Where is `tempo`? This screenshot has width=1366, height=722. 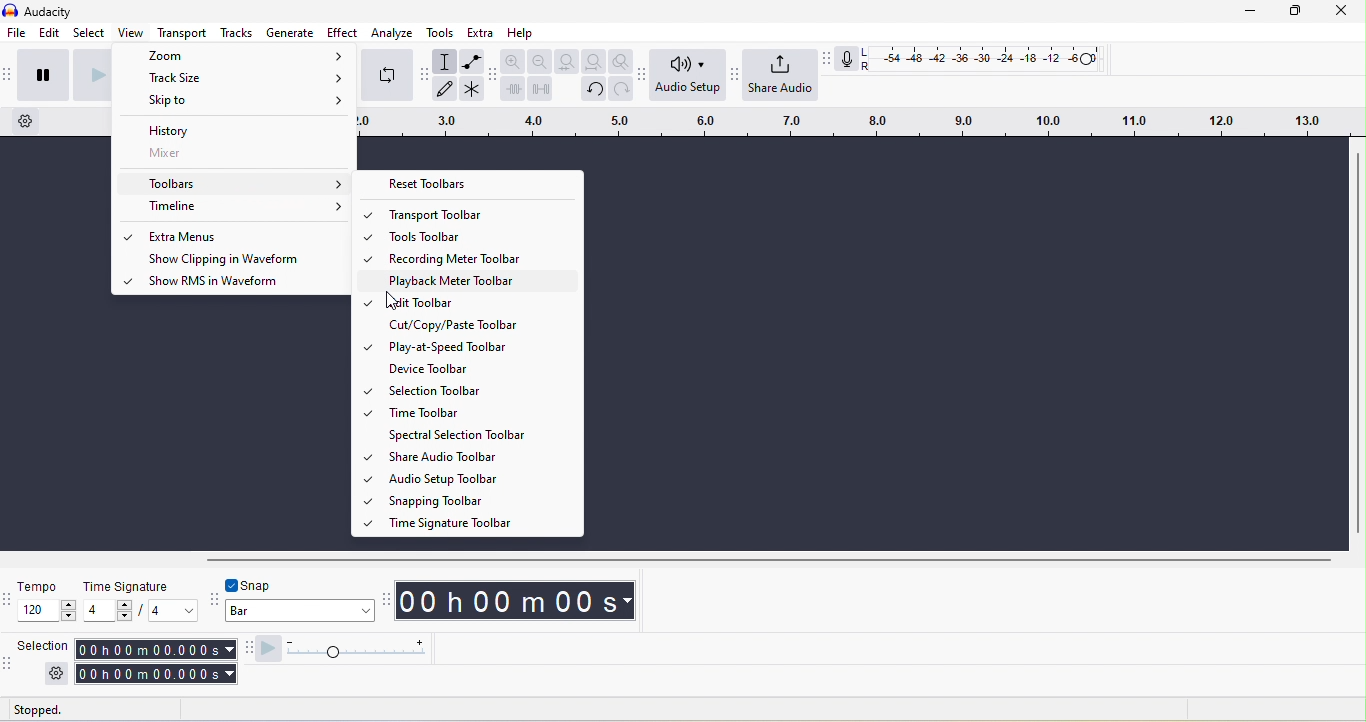
tempo is located at coordinates (40, 586).